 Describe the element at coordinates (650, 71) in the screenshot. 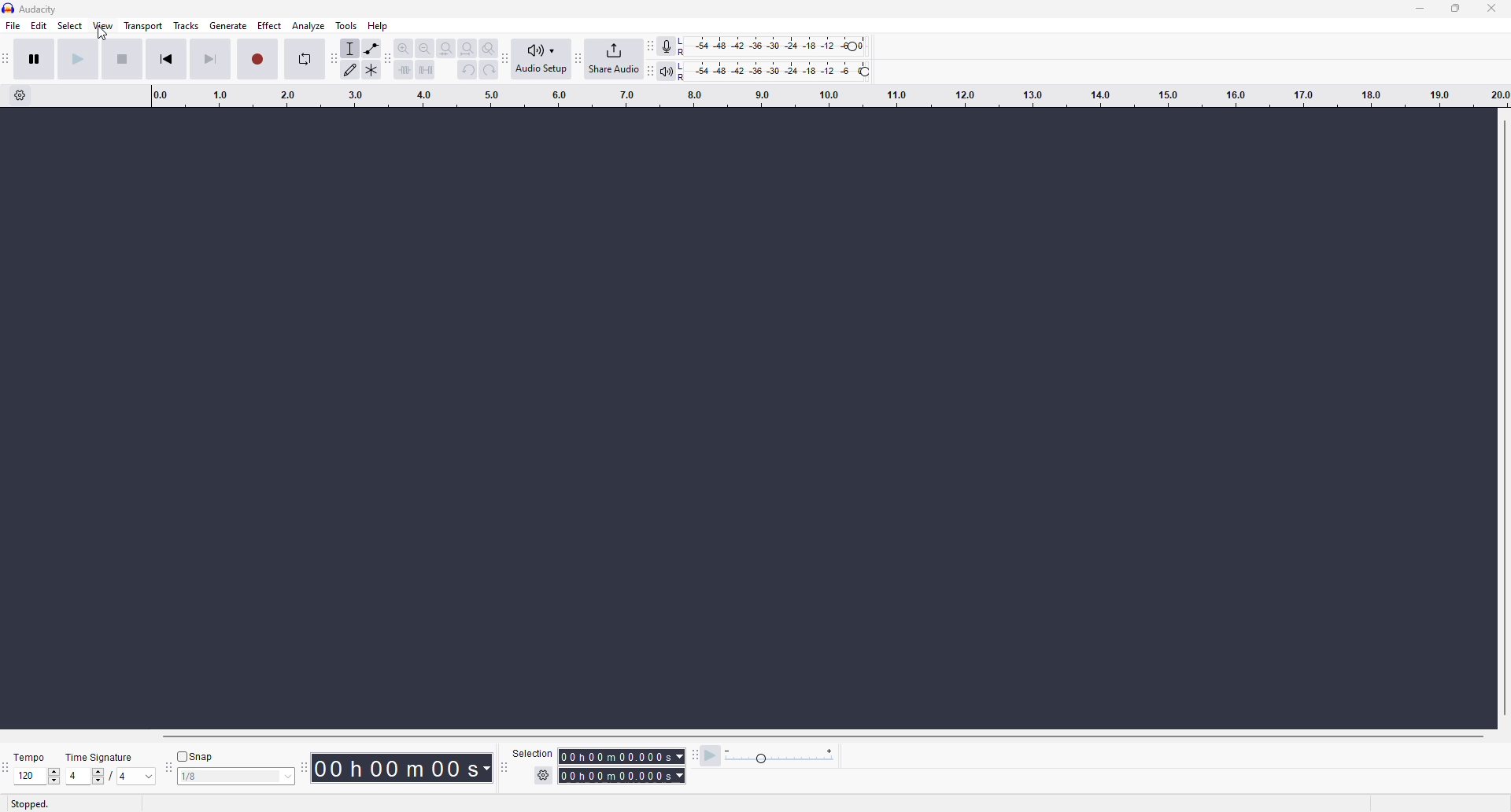

I see `play meter toolbar` at that location.